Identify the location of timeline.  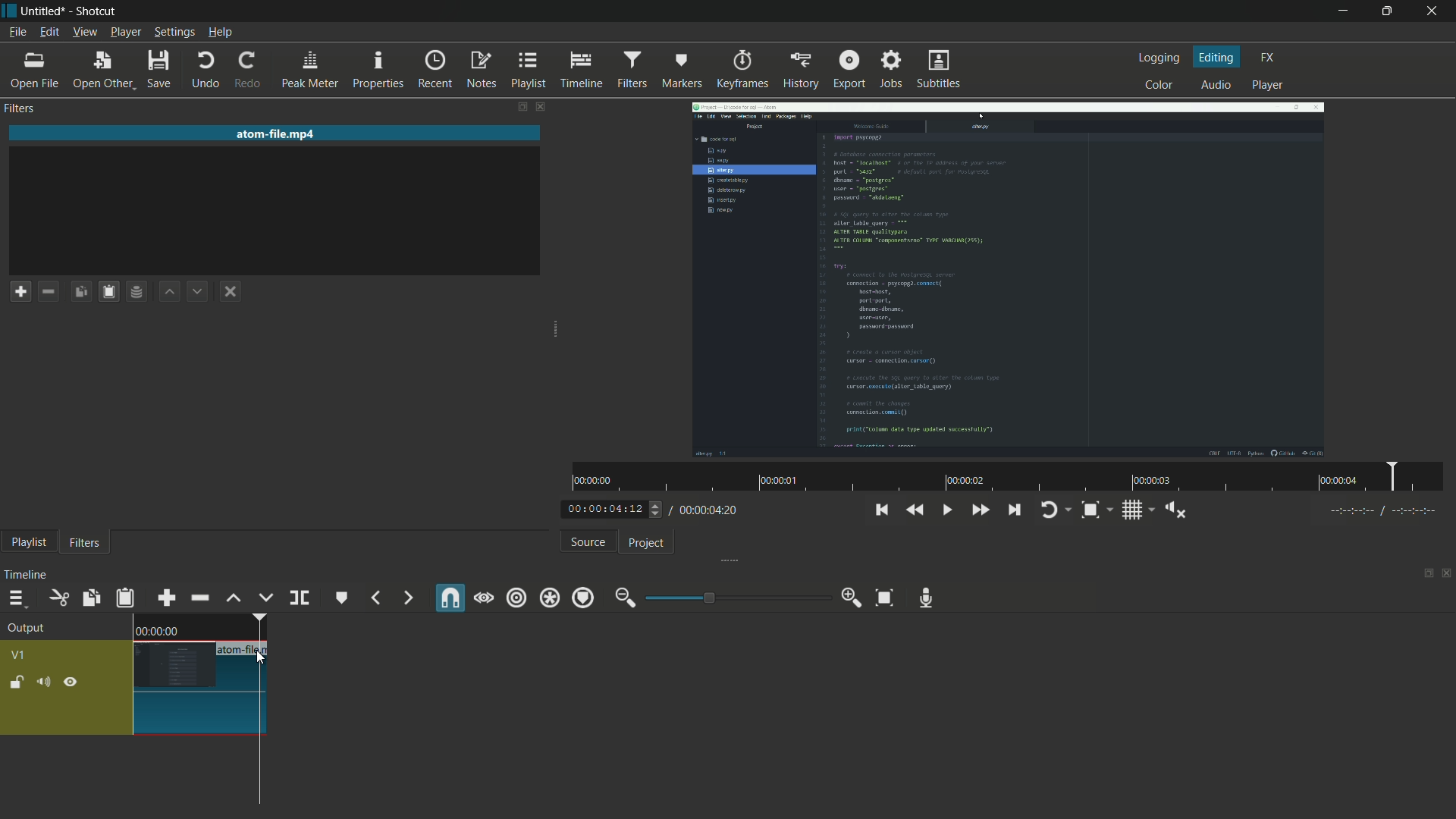
(30, 575).